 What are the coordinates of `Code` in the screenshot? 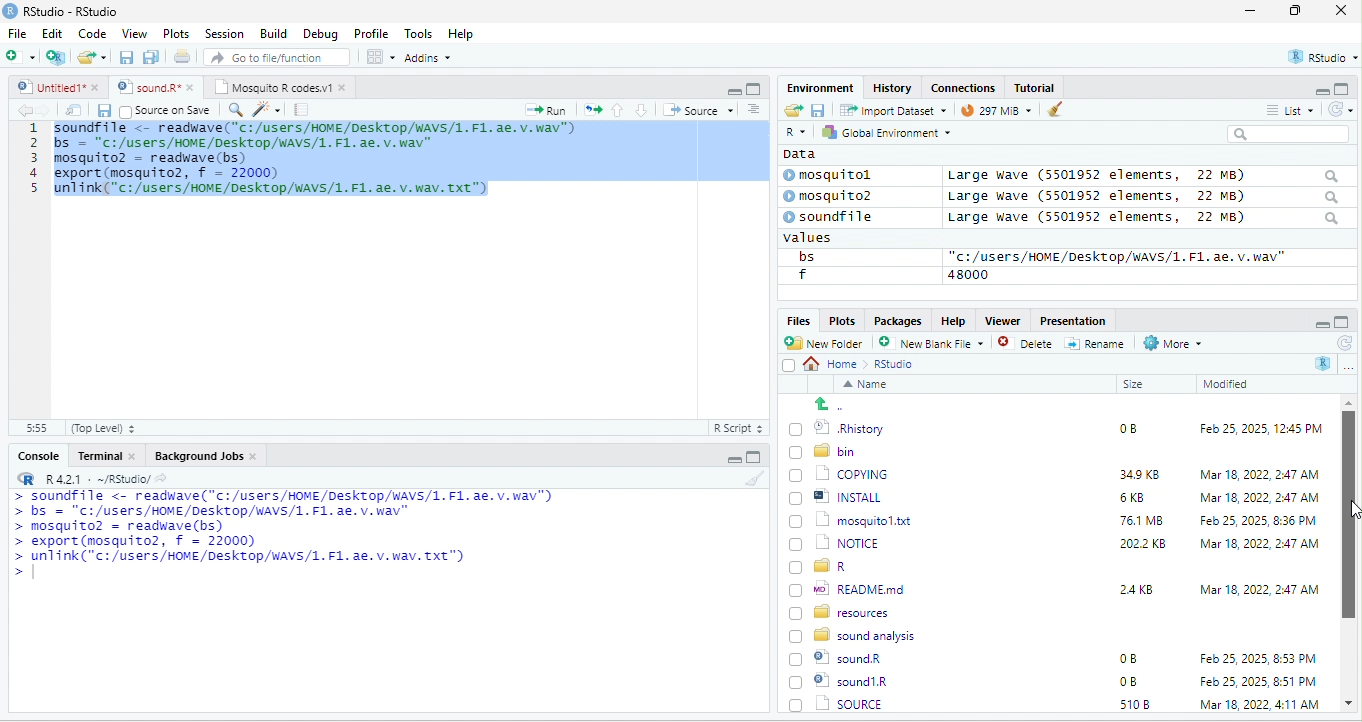 It's located at (93, 33).